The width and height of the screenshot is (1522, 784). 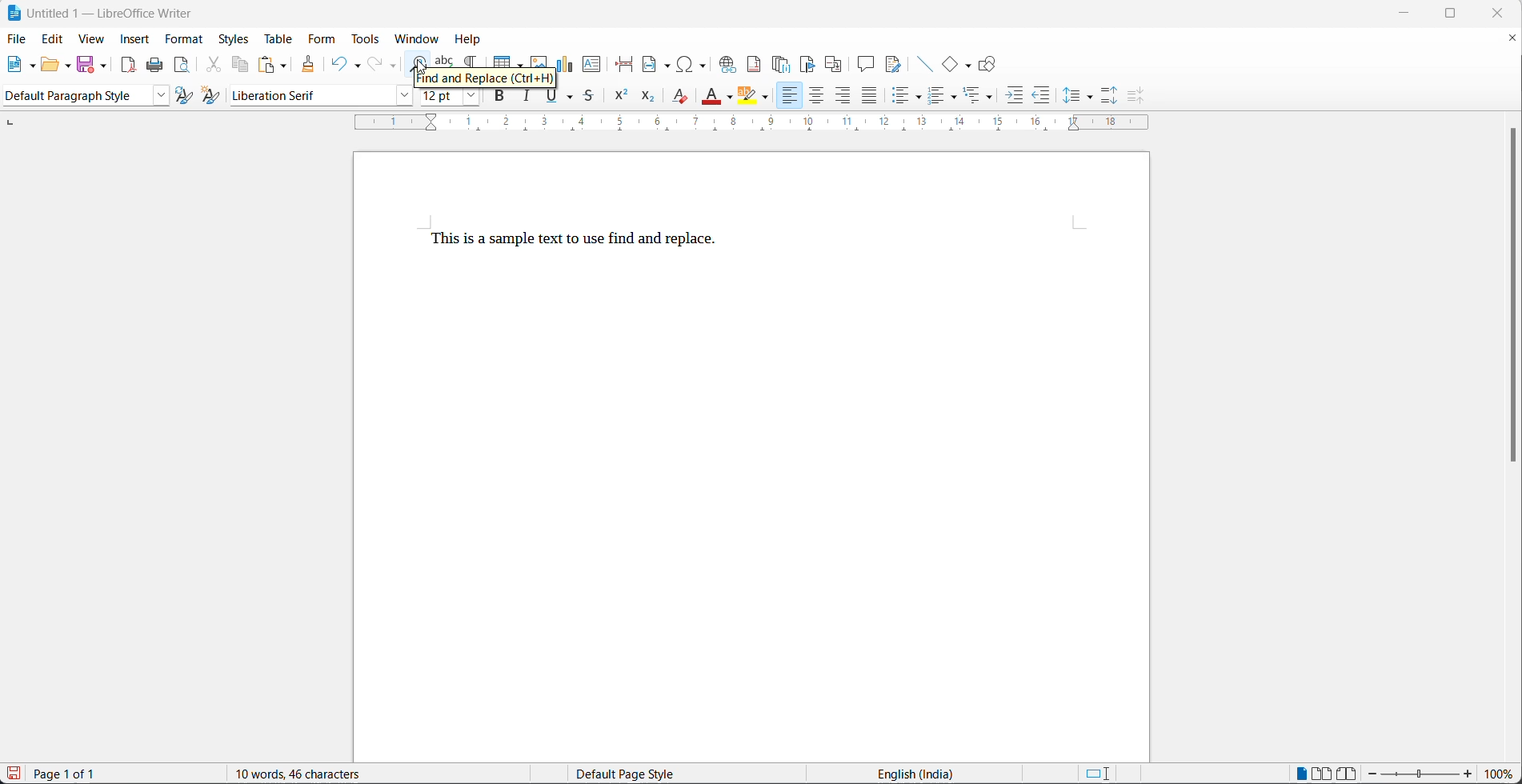 What do you see at coordinates (267, 64) in the screenshot?
I see `paste` at bounding box center [267, 64].